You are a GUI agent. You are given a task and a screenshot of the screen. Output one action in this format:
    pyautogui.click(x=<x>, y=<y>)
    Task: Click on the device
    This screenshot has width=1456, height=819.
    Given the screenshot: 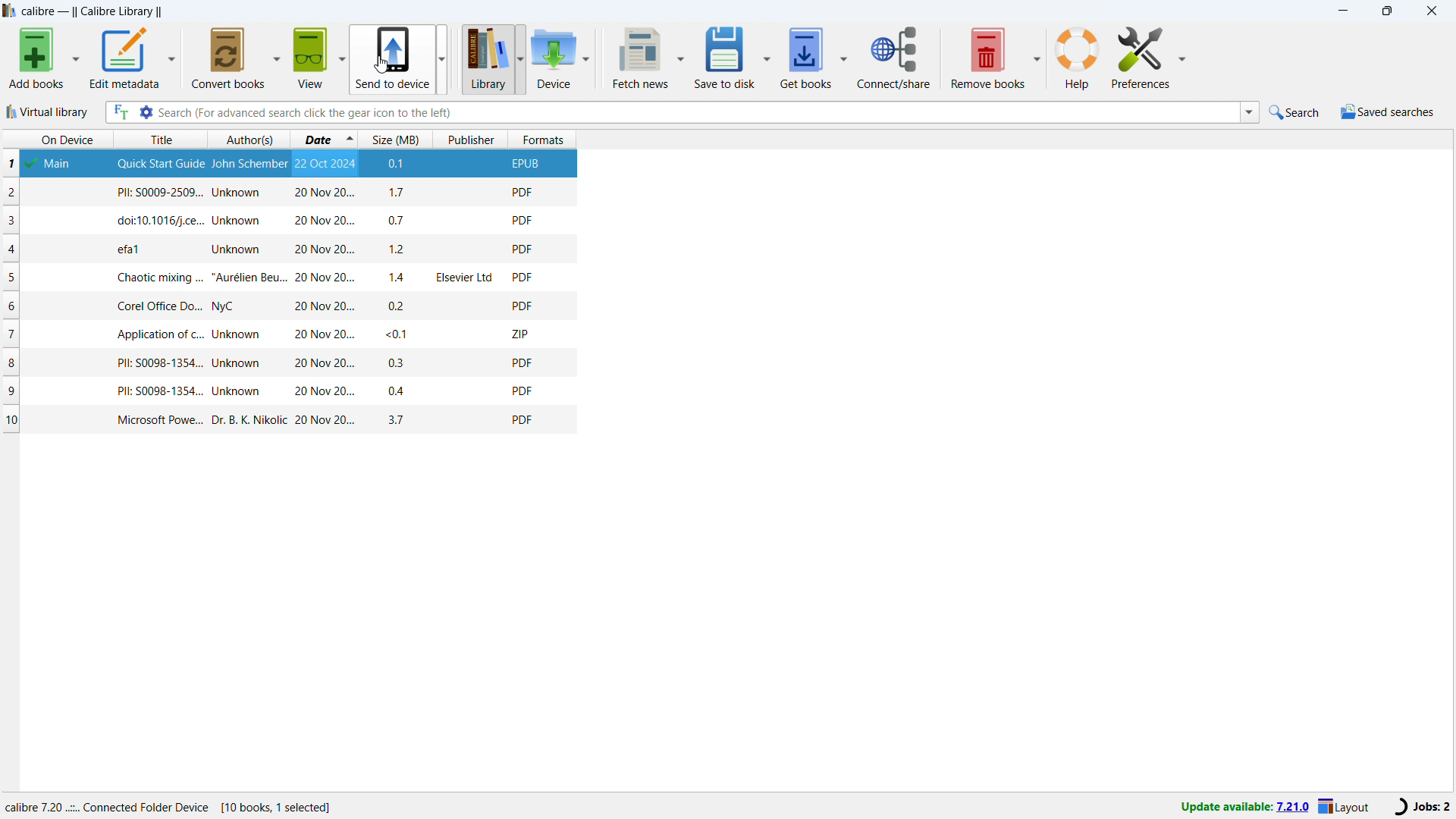 What is the action you would take?
    pyautogui.click(x=554, y=58)
    